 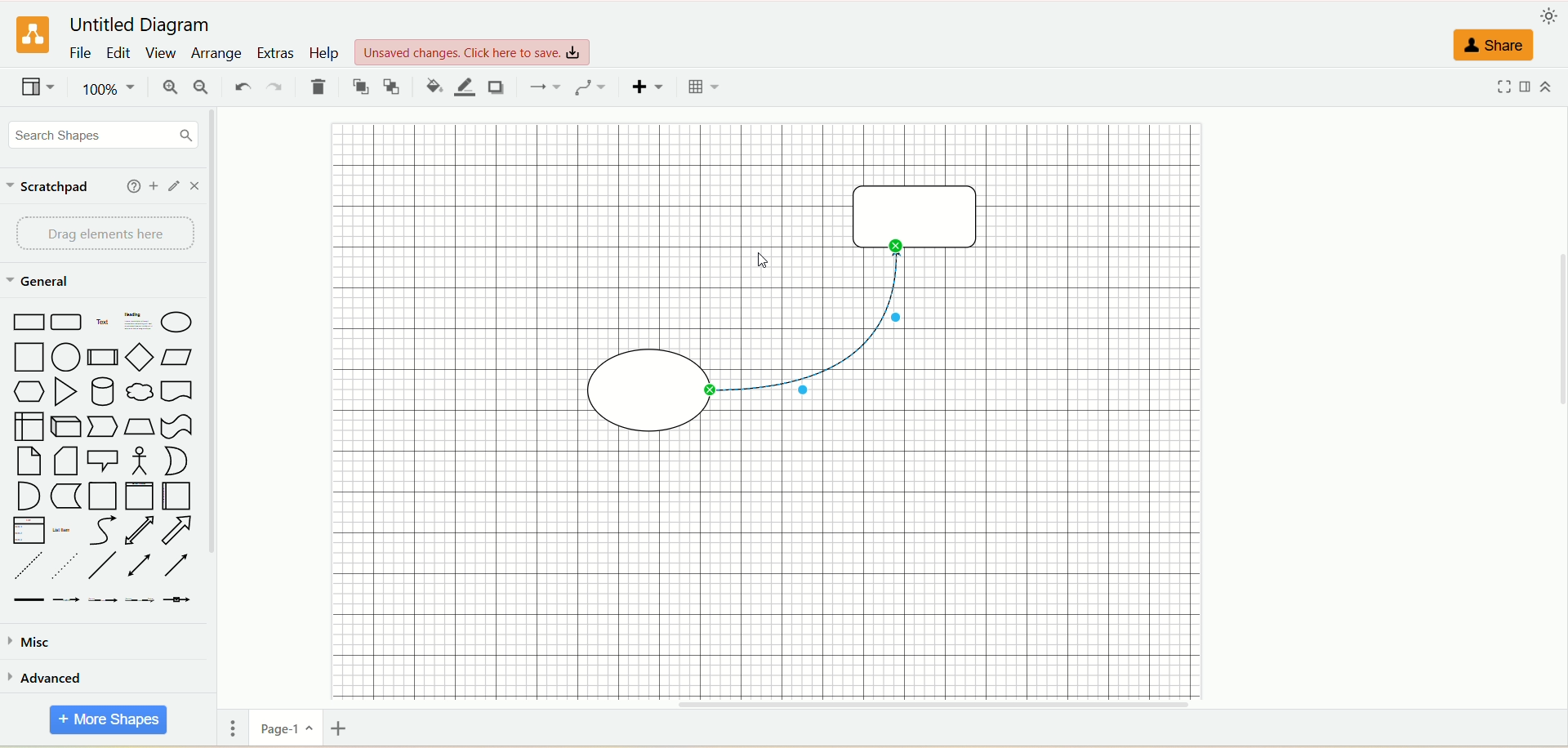 What do you see at coordinates (543, 86) in the screenshot?
I see `connection` at bounding box center [543, 86].